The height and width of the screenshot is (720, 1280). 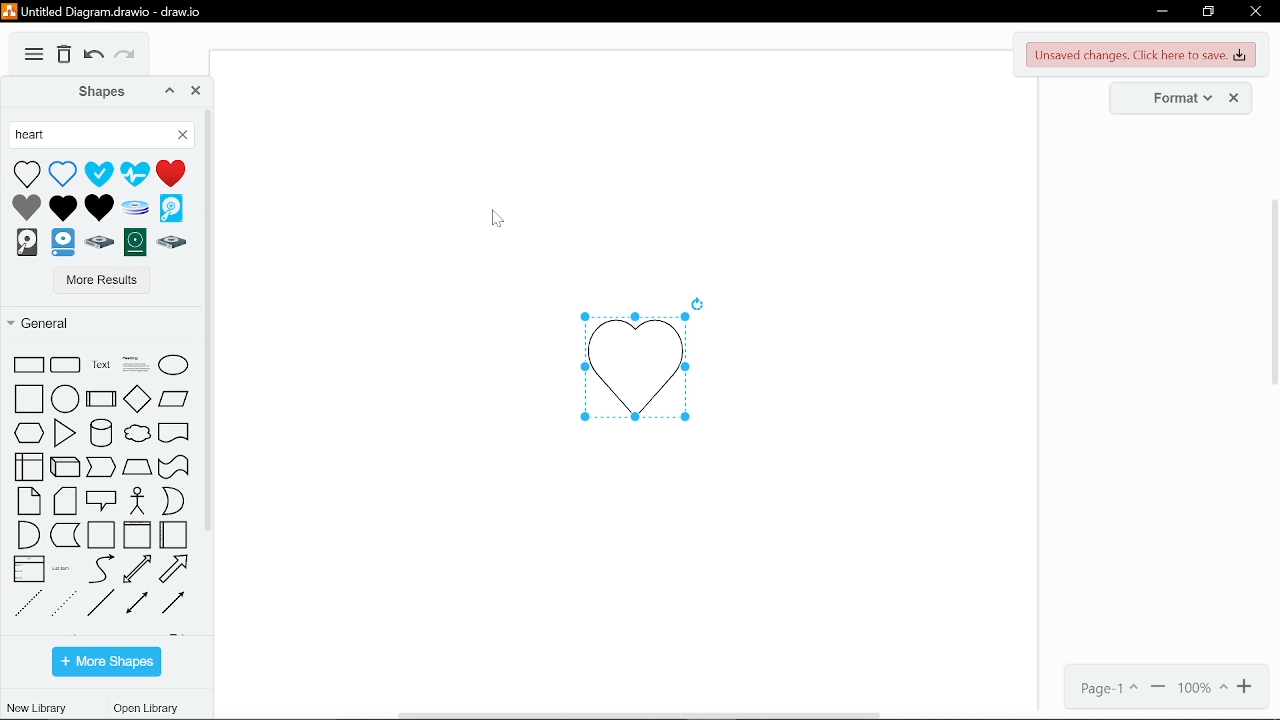 What do you see at coordinates (138, 399) in the screenshot?
I see `diamond` at bounding box center [138, 399].